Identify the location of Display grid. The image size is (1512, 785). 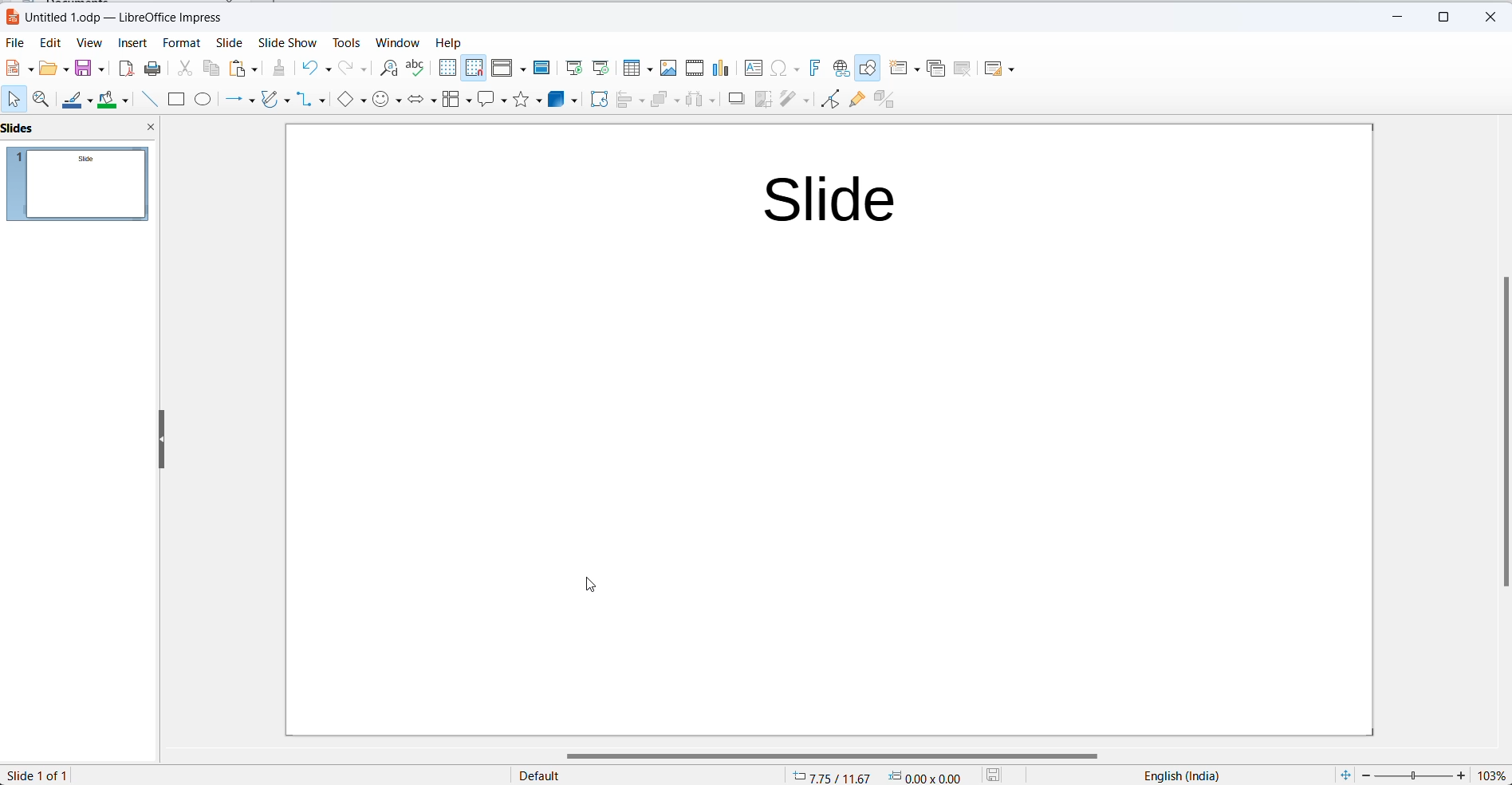
(446, 69).